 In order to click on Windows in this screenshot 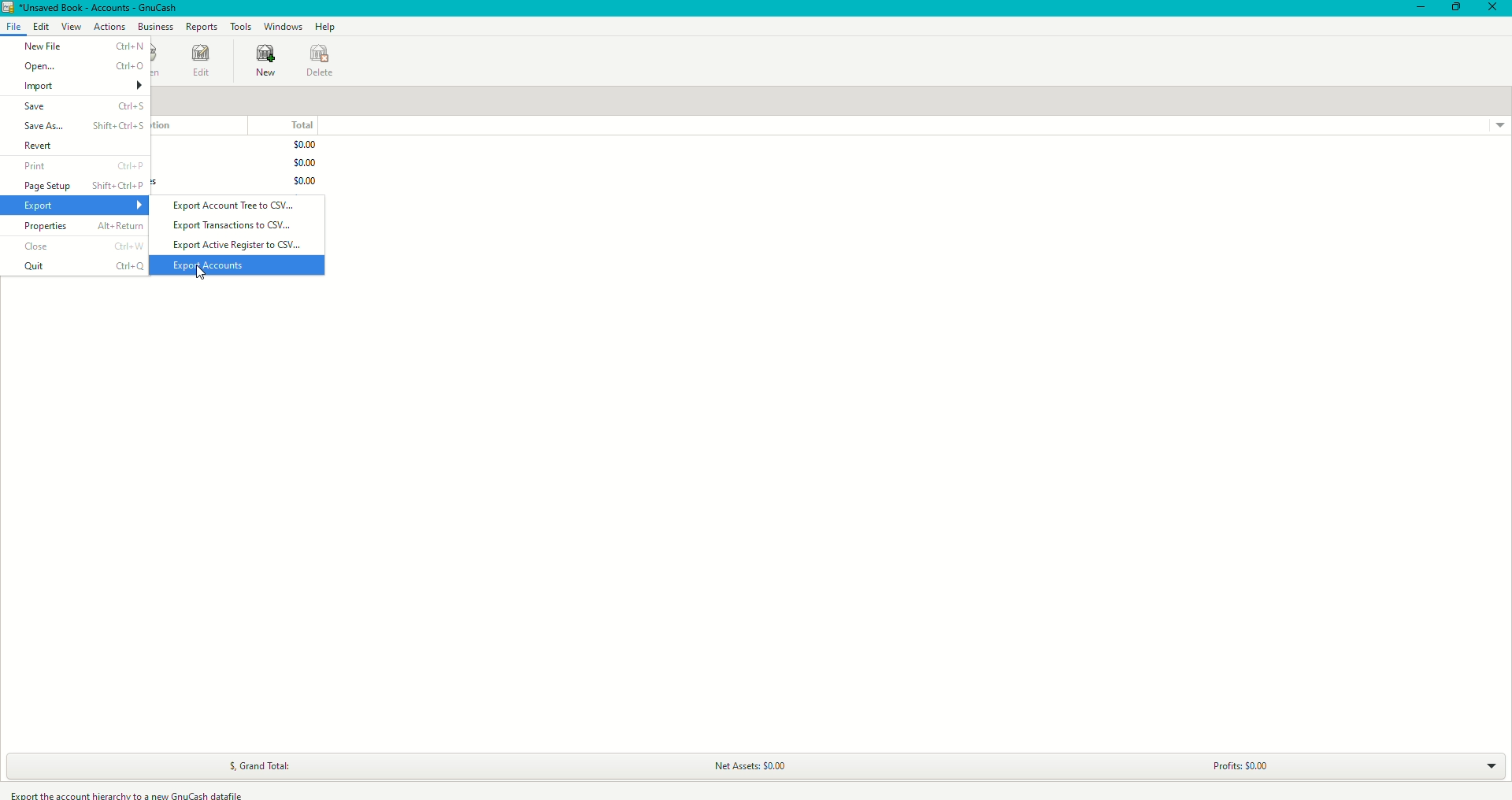, I will do `click(283, 28)`.